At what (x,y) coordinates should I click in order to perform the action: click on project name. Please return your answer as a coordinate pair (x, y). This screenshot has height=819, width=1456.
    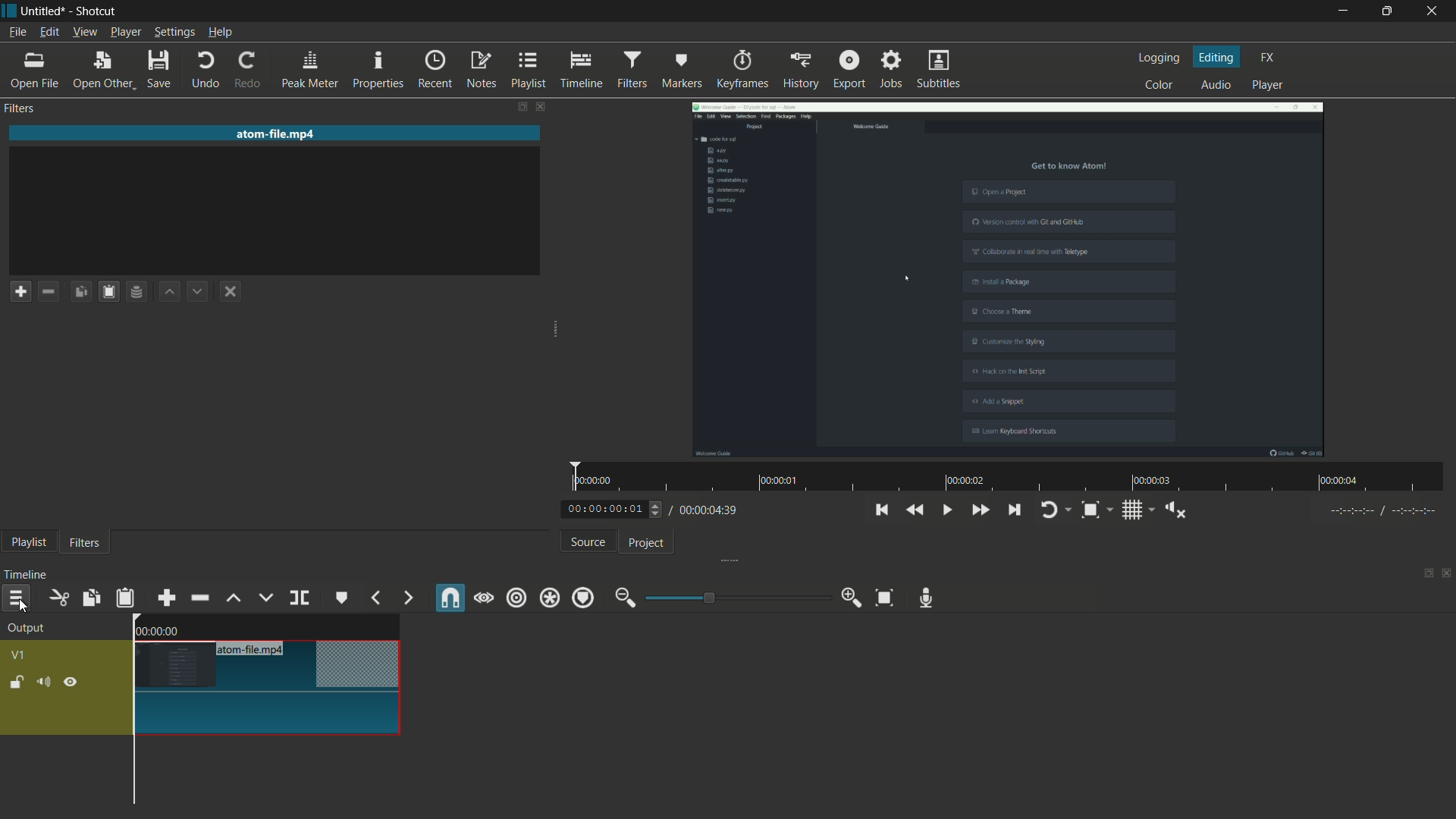
    Looking at the image, I should click on (44, 11).